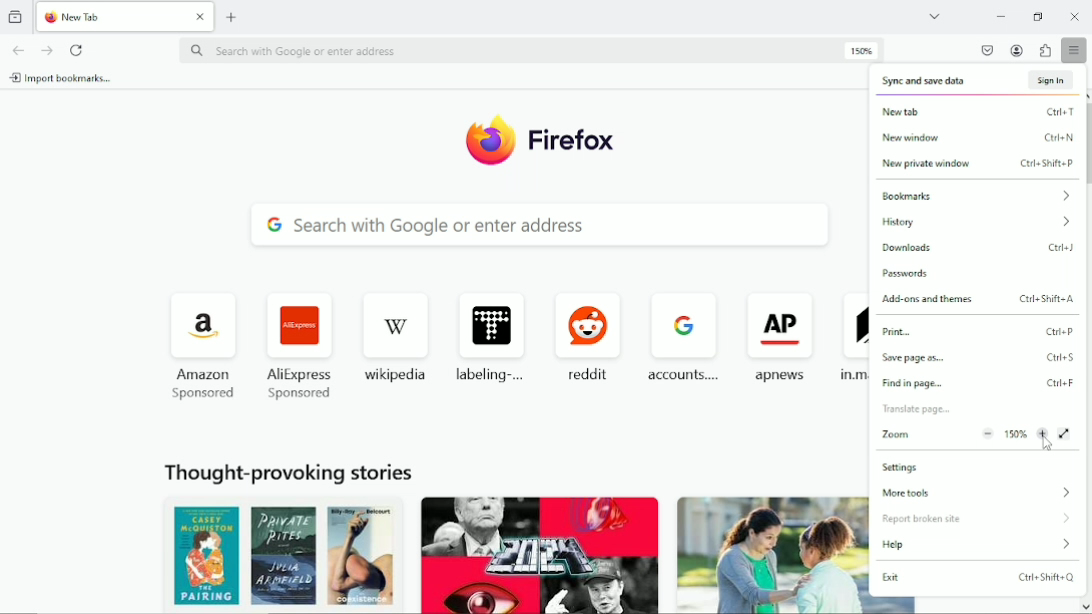 The width and height of the screenshot is (1092, 614). What do you see at coordinates (1076, 17) in the screenshot?
I see `Close` at bounding box center [1076, 17].